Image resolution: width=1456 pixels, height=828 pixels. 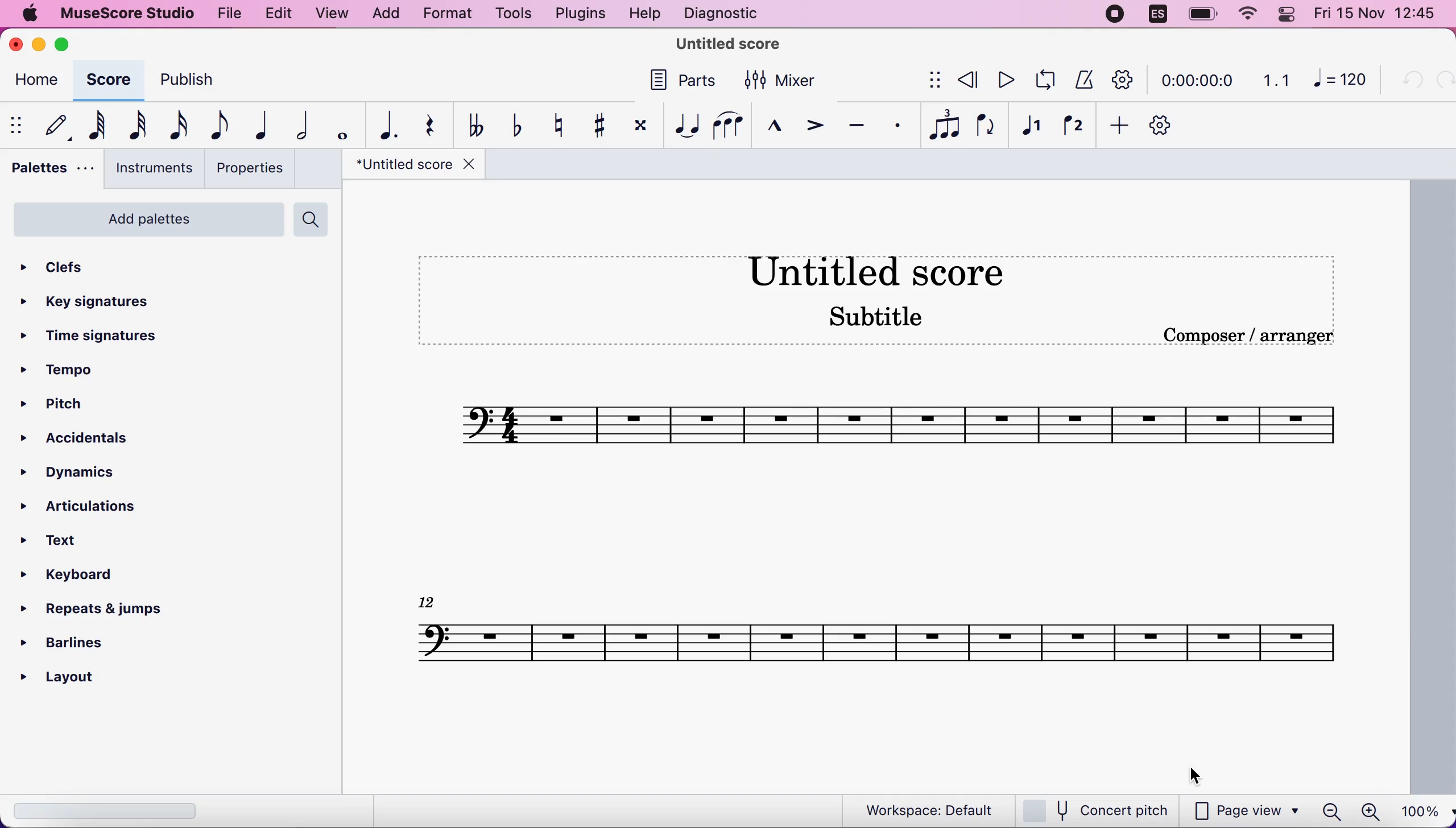 I want to click on tules, so click(x=944, y=123).